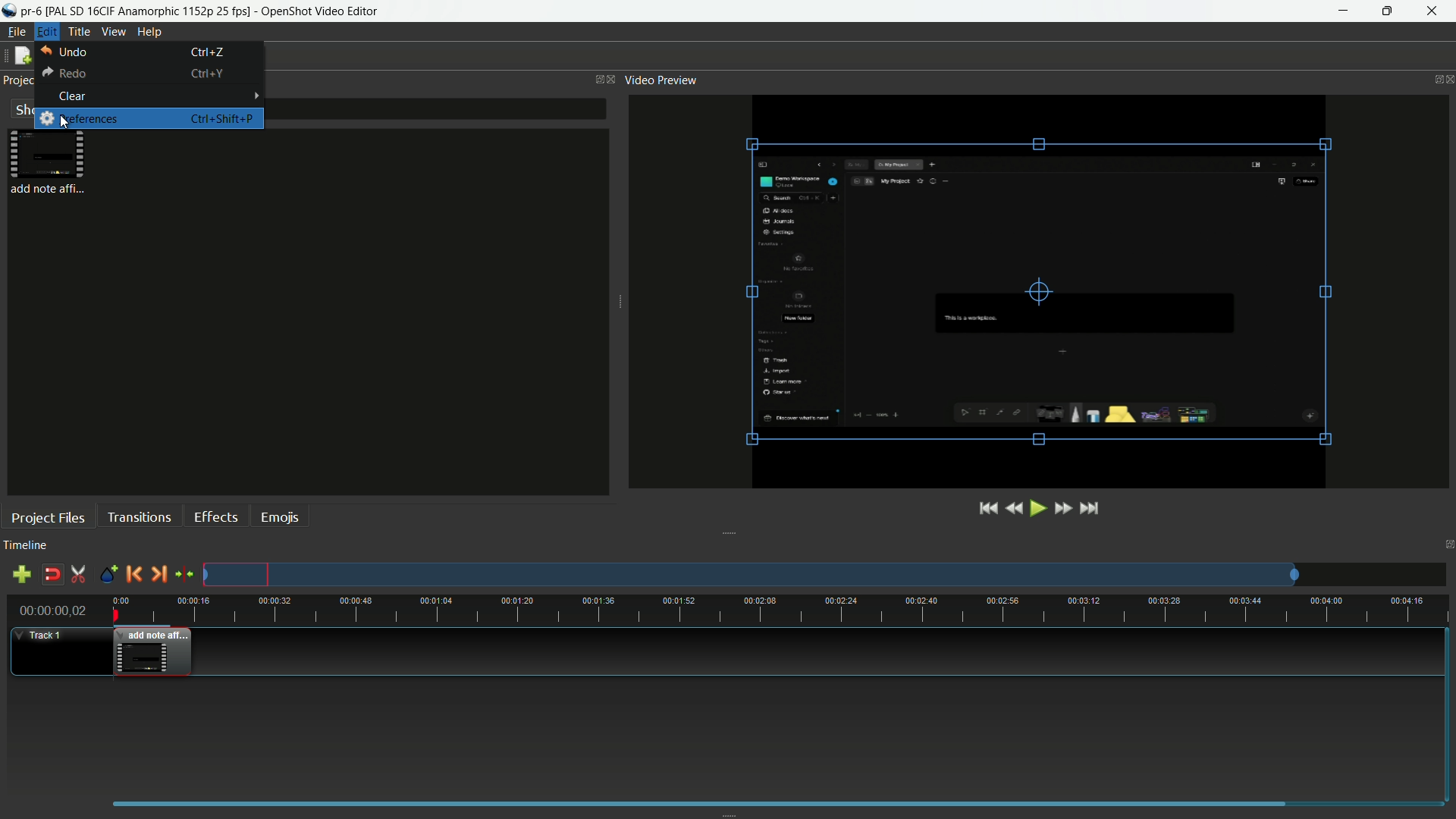  I want to click on project name, so click(31, 11).